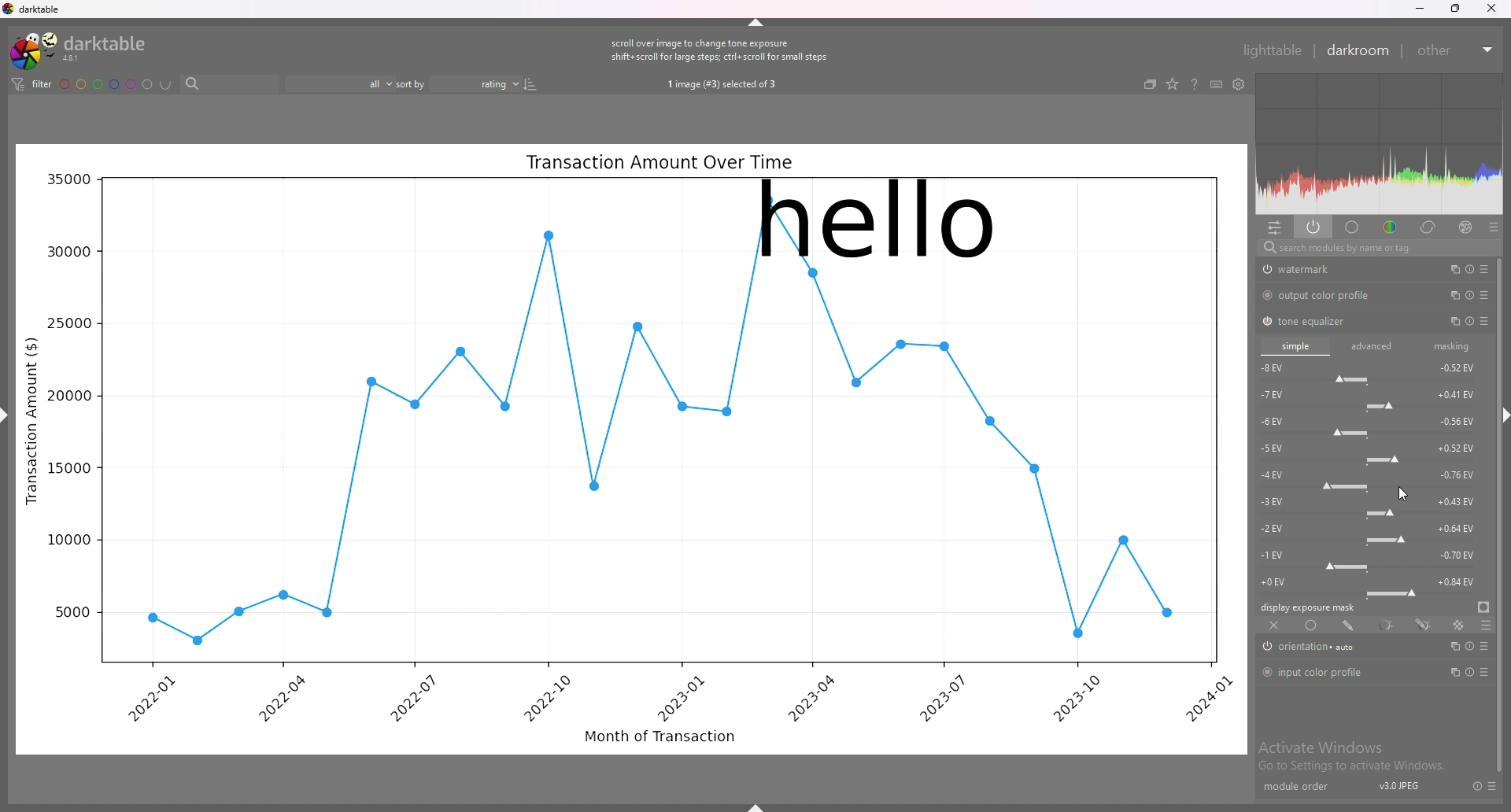 Image resolution: width=1511 pixels, height=812 pixels. Describe the element at coordinates (1084, 699) in the screenshot. I see `2023-10` at that location.